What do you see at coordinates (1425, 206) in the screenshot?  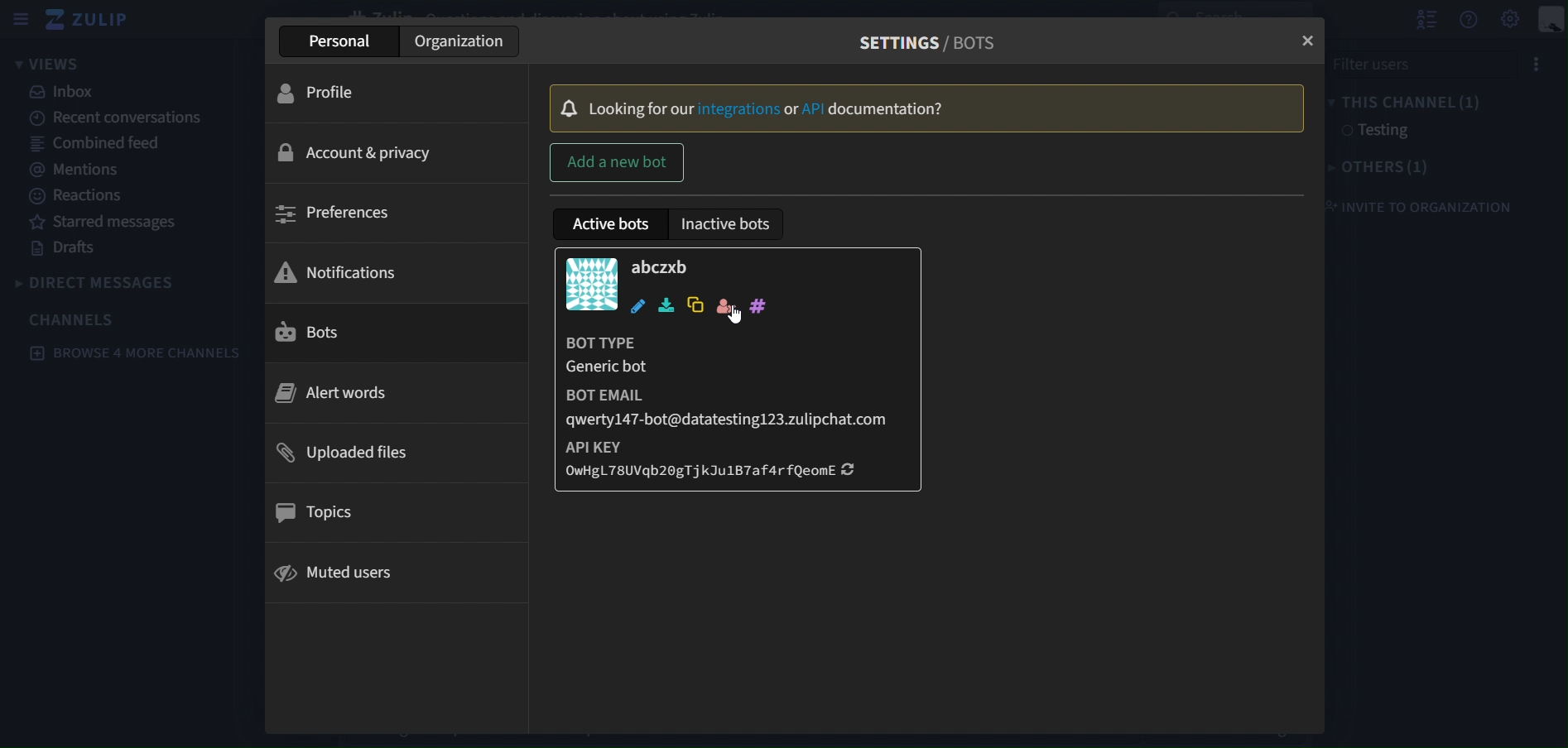 I see `invite to organization` at bounding box center [1425, 206].